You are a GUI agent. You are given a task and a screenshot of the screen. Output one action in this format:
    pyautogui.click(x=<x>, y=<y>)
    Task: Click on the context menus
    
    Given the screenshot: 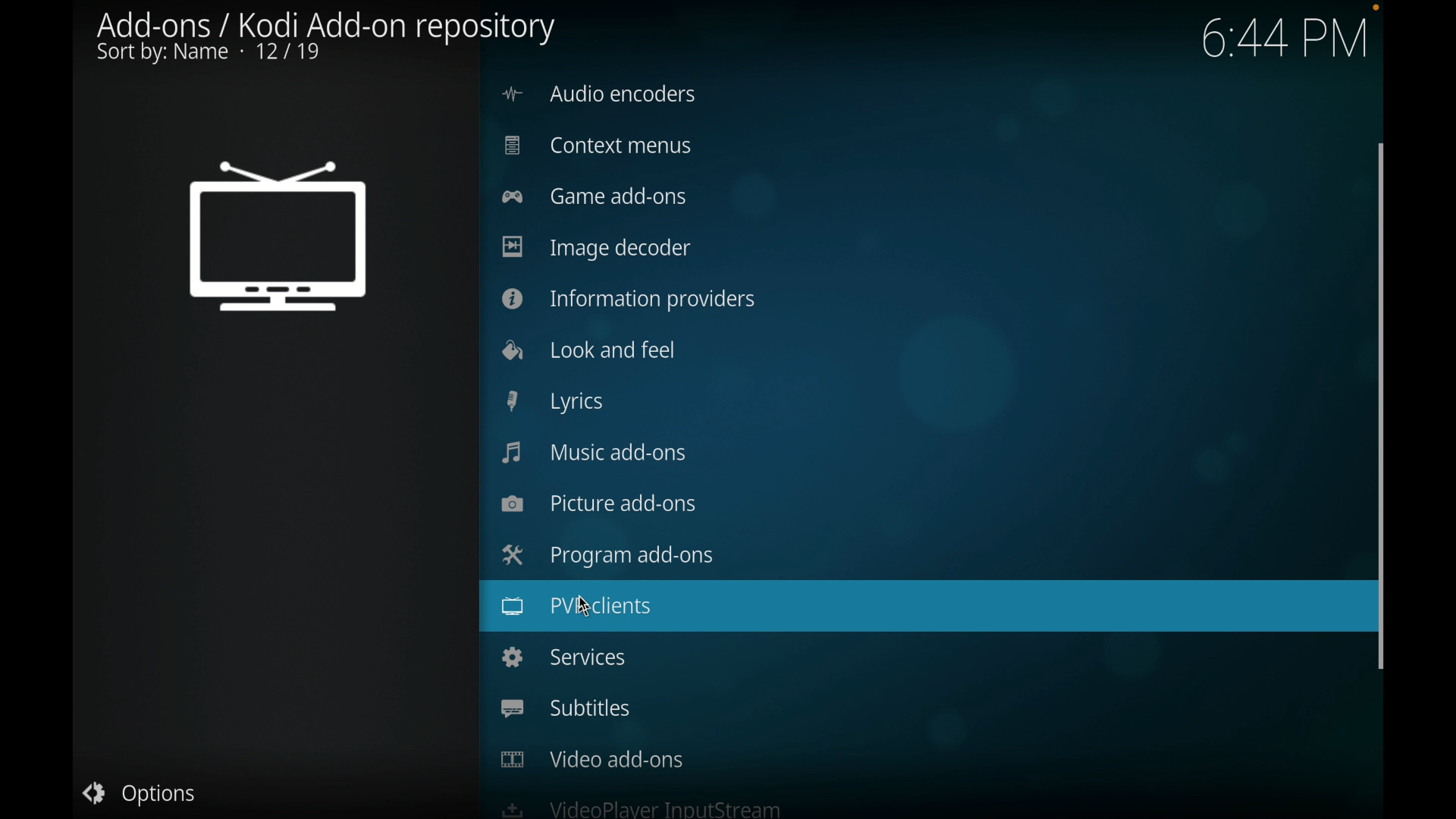 What is the action you would take?
    pyautogui.click(x=601, y=146)
    